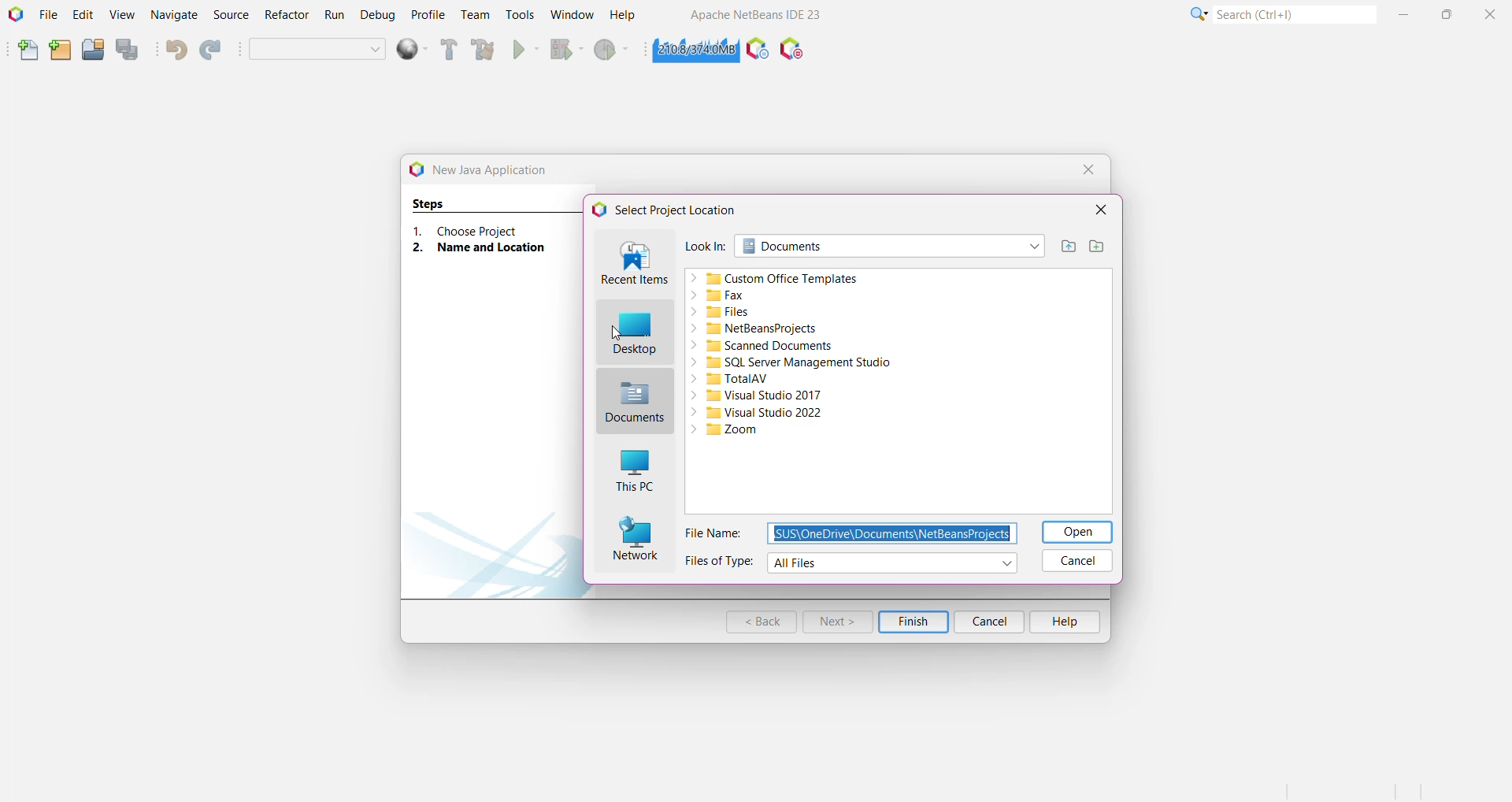 Image resolution: width=1512 pixels, height=802 pixels. Describe the element at coordinates (431, 202) in the screenshot. I see `Steps` at that location.